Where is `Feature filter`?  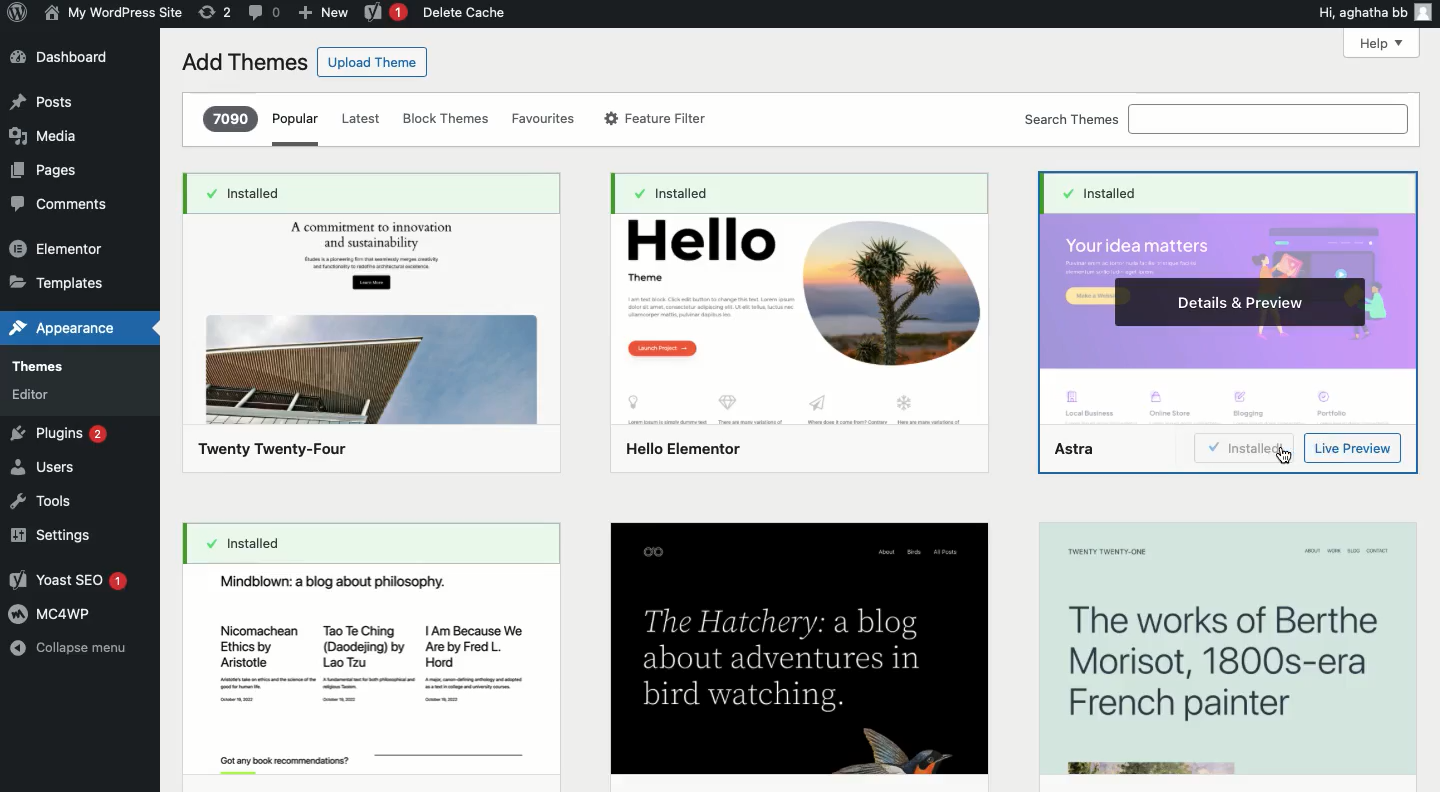 Feature filter is located at coordinates (658, 118).